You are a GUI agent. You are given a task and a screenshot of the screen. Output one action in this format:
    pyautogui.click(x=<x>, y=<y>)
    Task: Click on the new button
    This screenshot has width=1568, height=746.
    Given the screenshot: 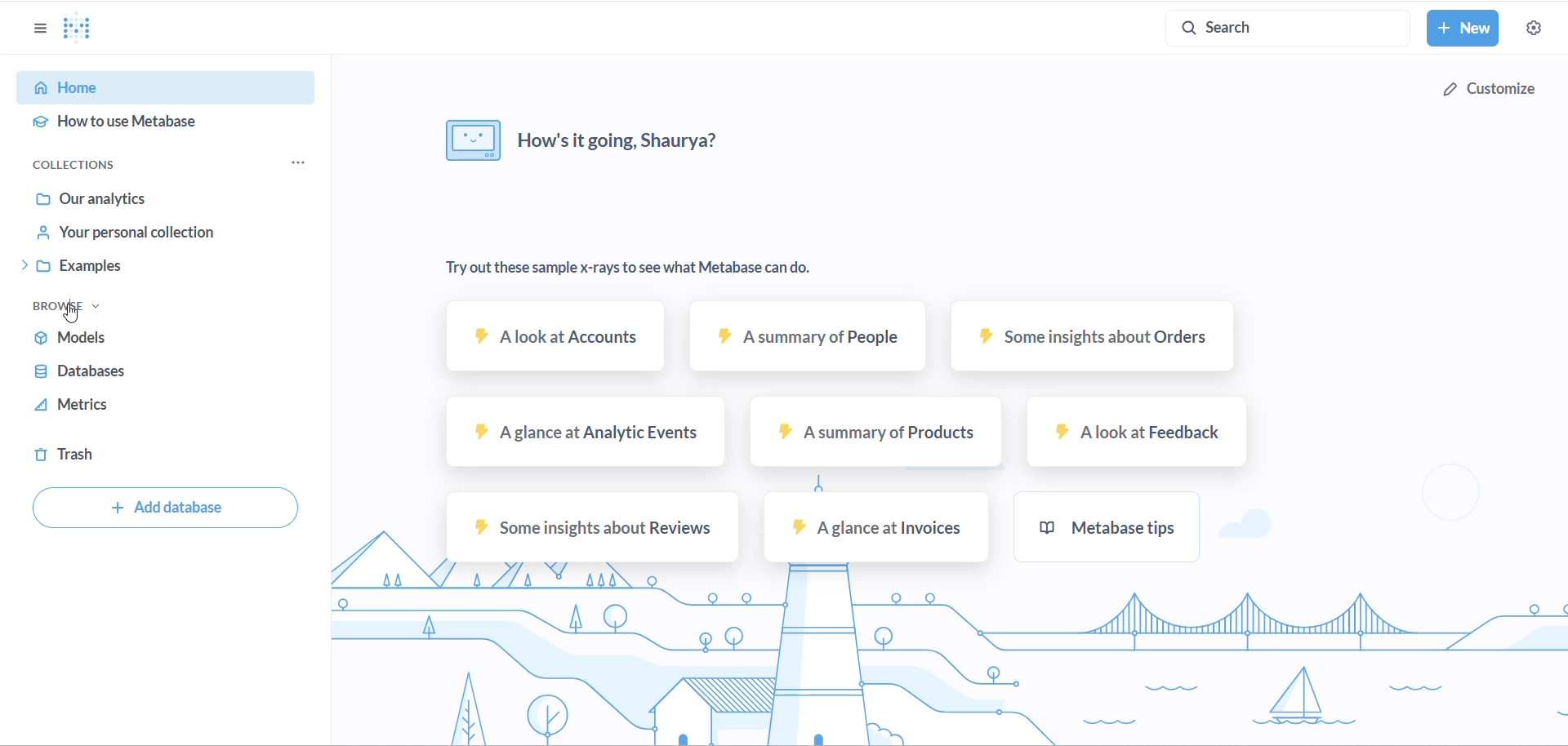 What is the action you would take?
    pyautogui.click(x=1461, y=30)
    